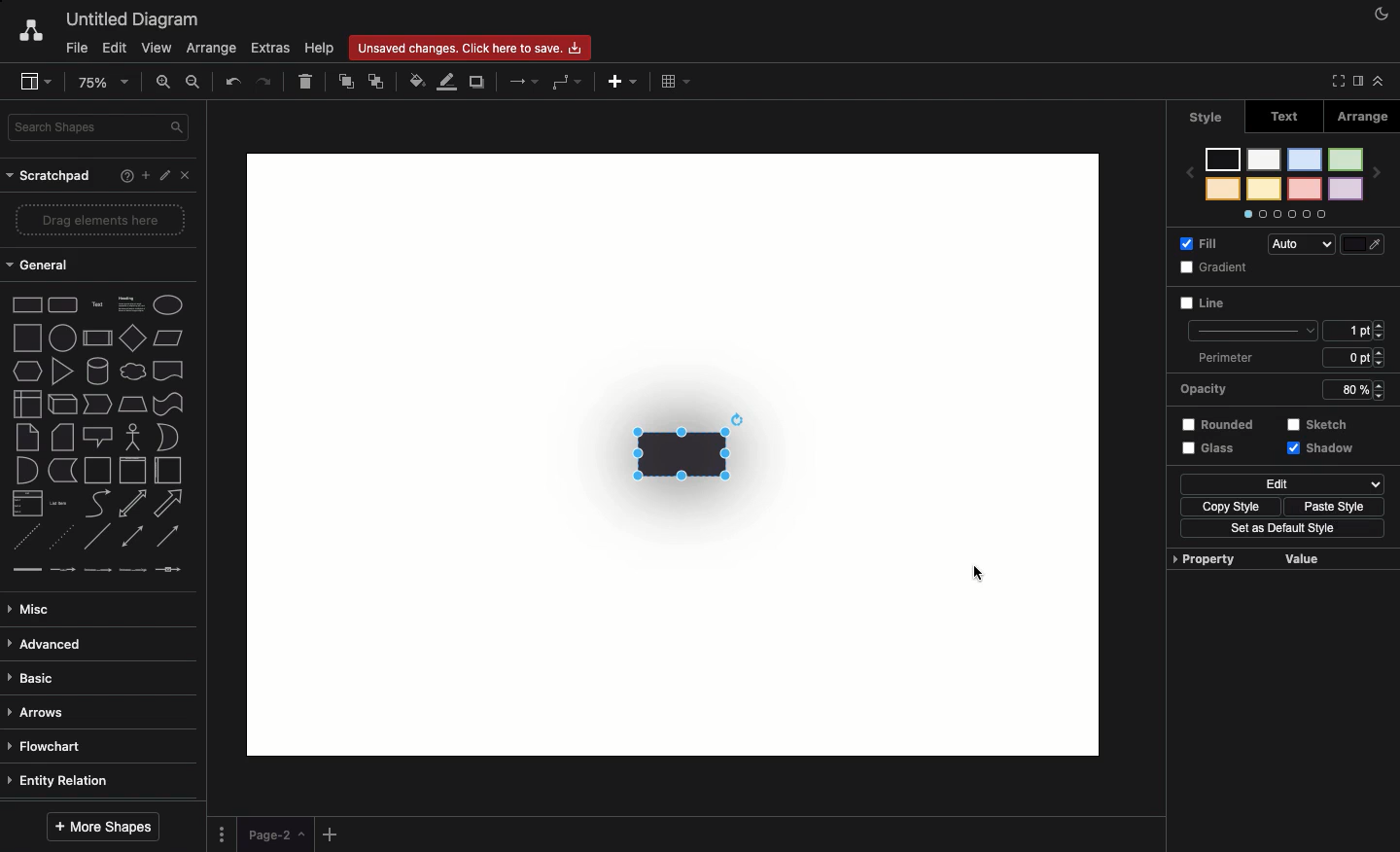 This screenshot has width=1400, height=852. Describe the element at coordinates (1202, 388) in the screenshot. I see `Opacity` at that location.